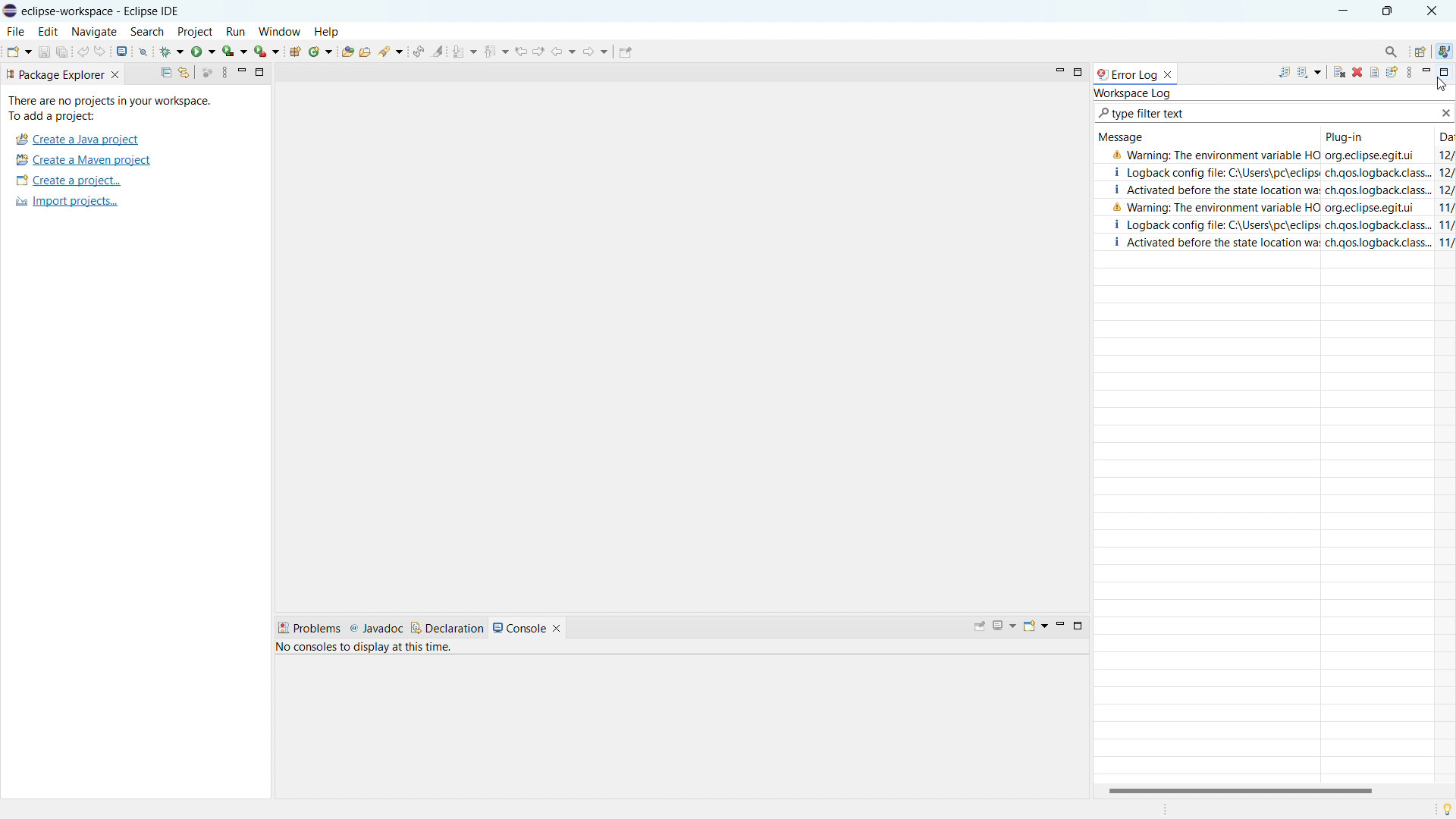 The image size is (1456, 819). Describe the element at coordinates (1058, 70) in the screenshot. I see `minimise` at that location.